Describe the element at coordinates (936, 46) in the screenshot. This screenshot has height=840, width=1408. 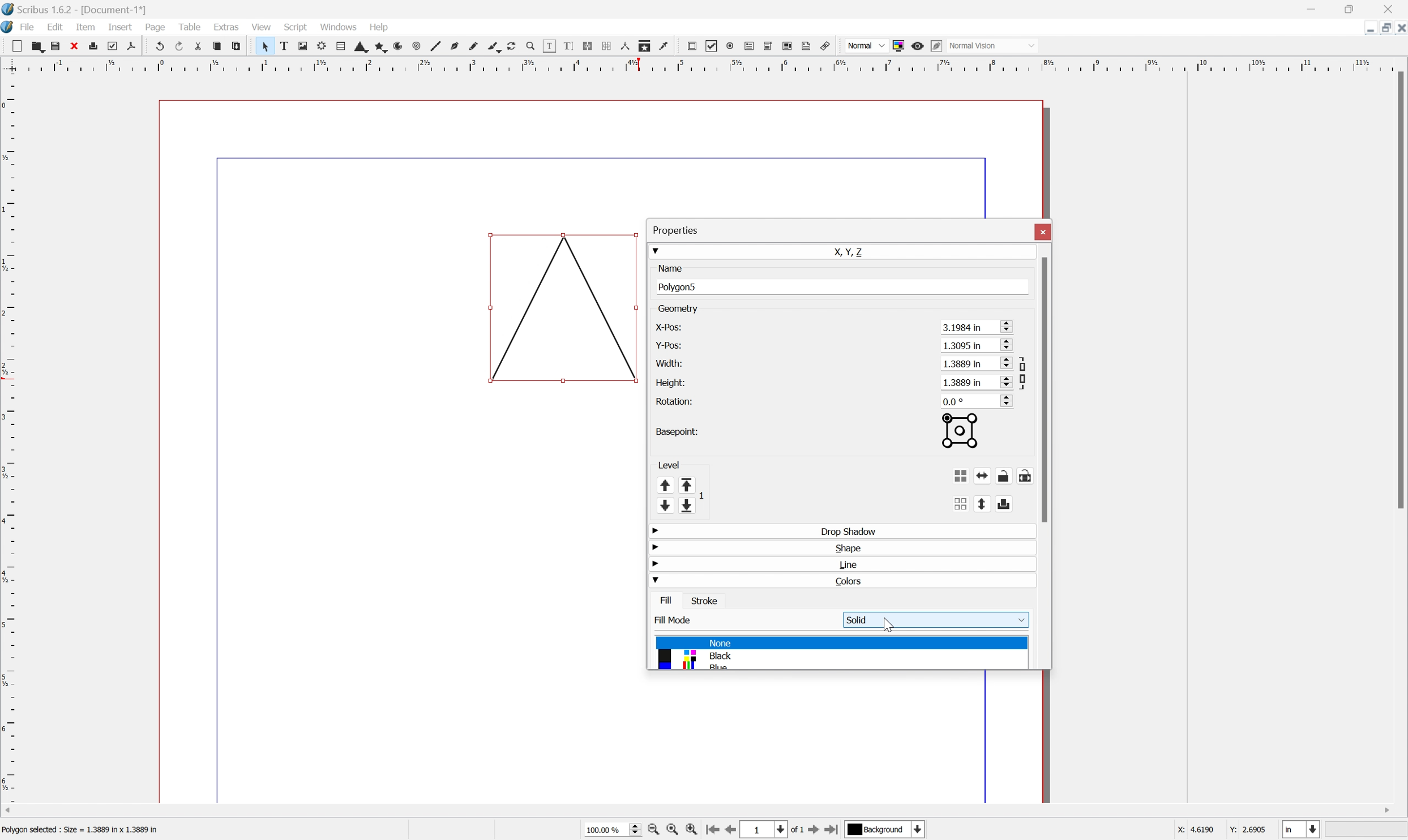
I see `Edit in preview mode` at that location.